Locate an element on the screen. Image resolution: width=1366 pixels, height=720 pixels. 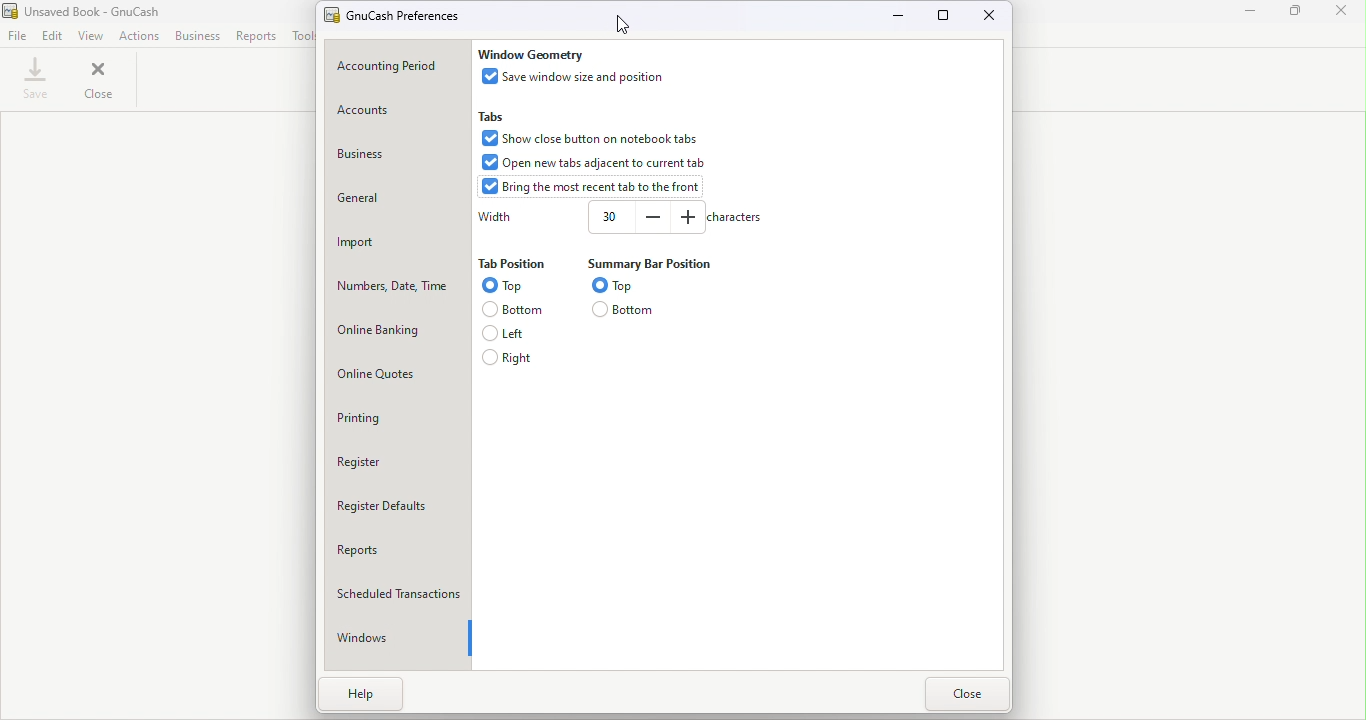
Summary bar position is located at coordinates (646, 263).